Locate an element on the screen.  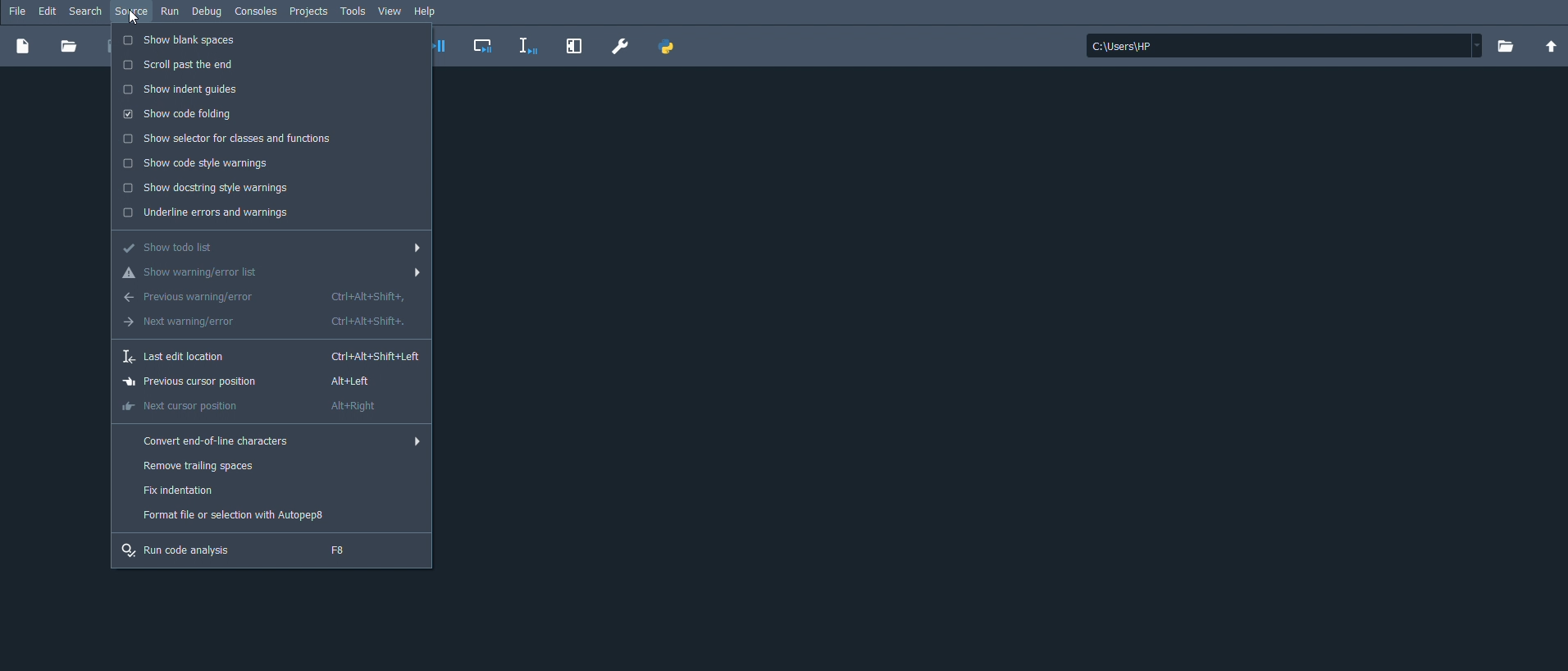
Show indent guides is located at coordinates (189, 89).